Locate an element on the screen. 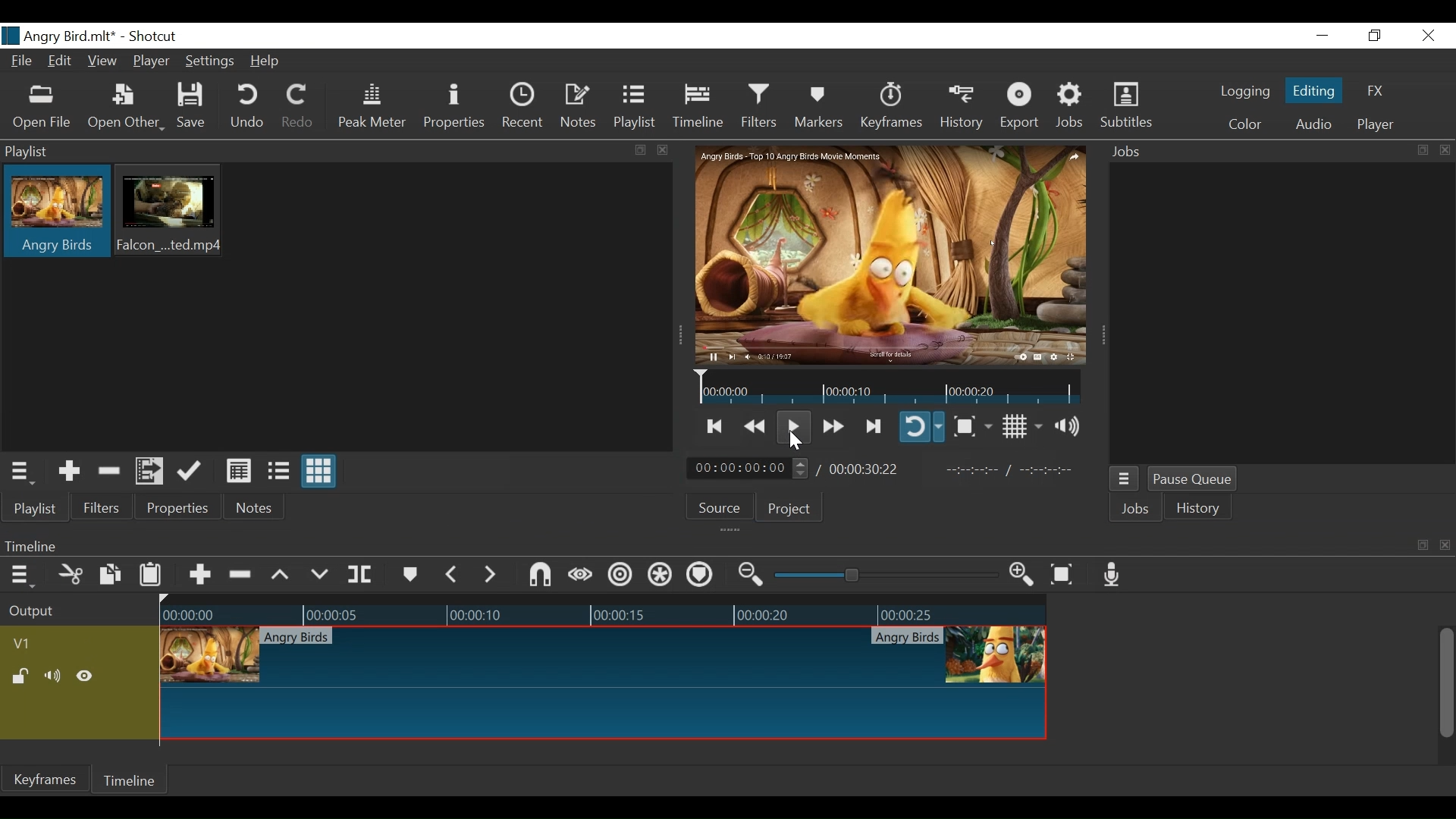 This screenshot has width=1456, height=819. Mute is located at coordinates (54, 678).